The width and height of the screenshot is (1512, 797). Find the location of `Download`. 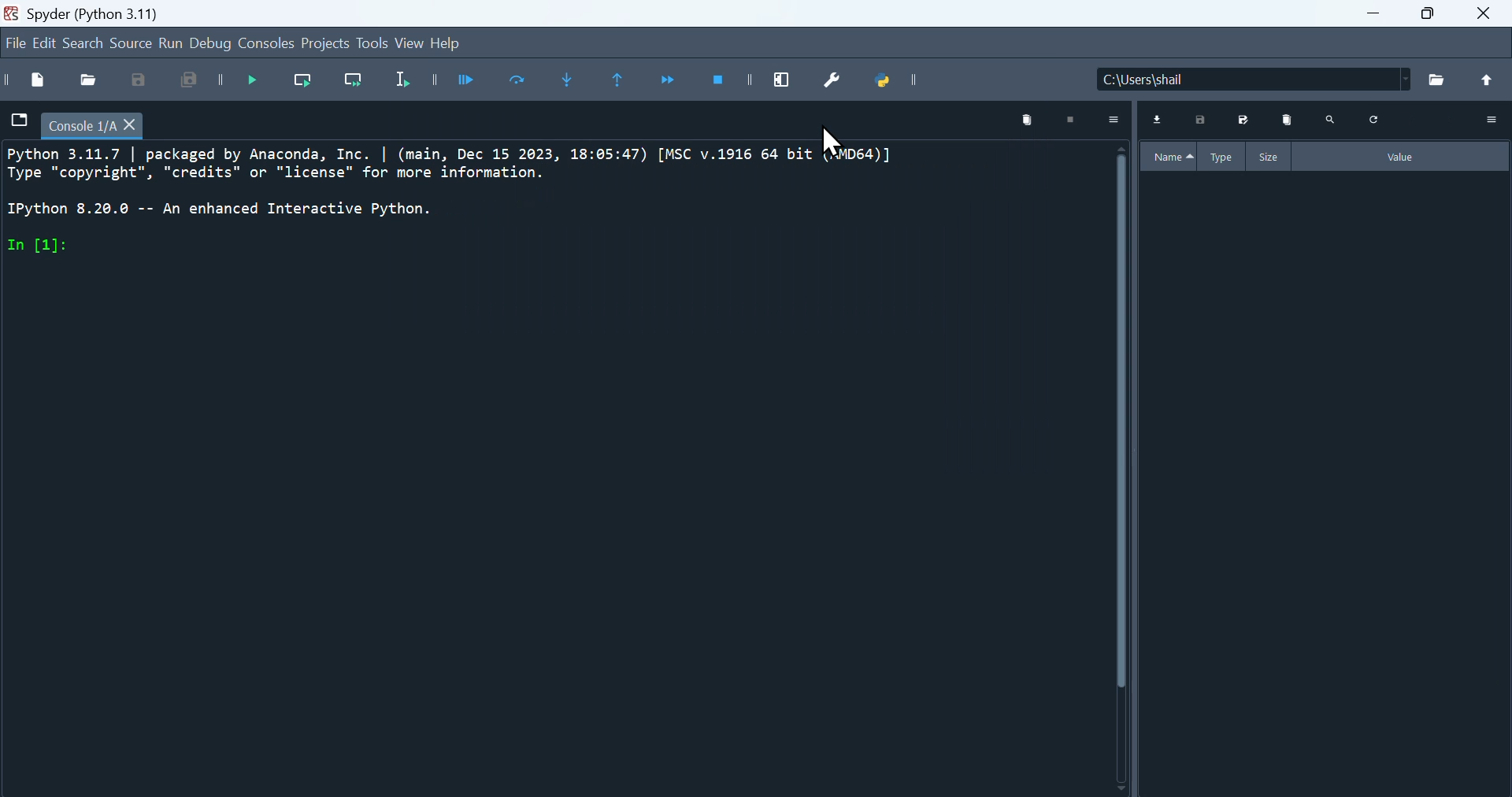

Download is located at coordinates (1163, 119).